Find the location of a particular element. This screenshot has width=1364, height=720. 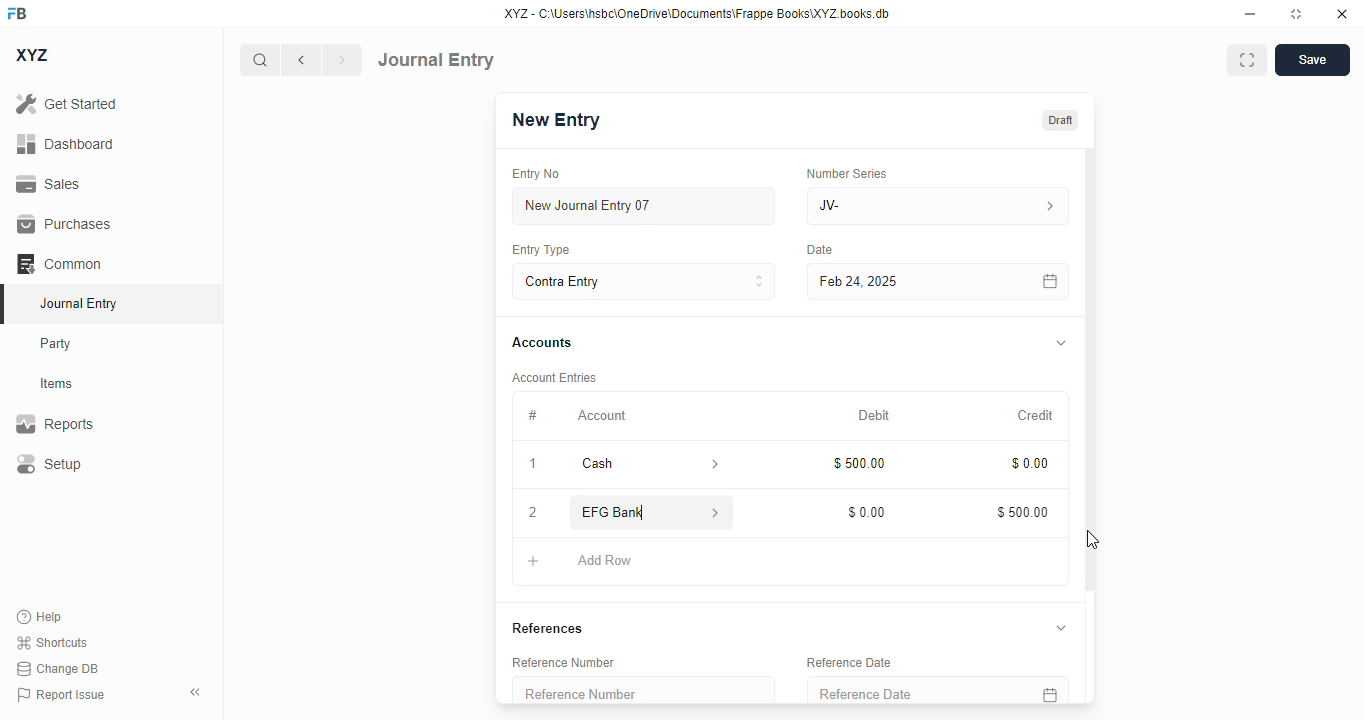

calendar icon is located at coordinates (1051, 281).